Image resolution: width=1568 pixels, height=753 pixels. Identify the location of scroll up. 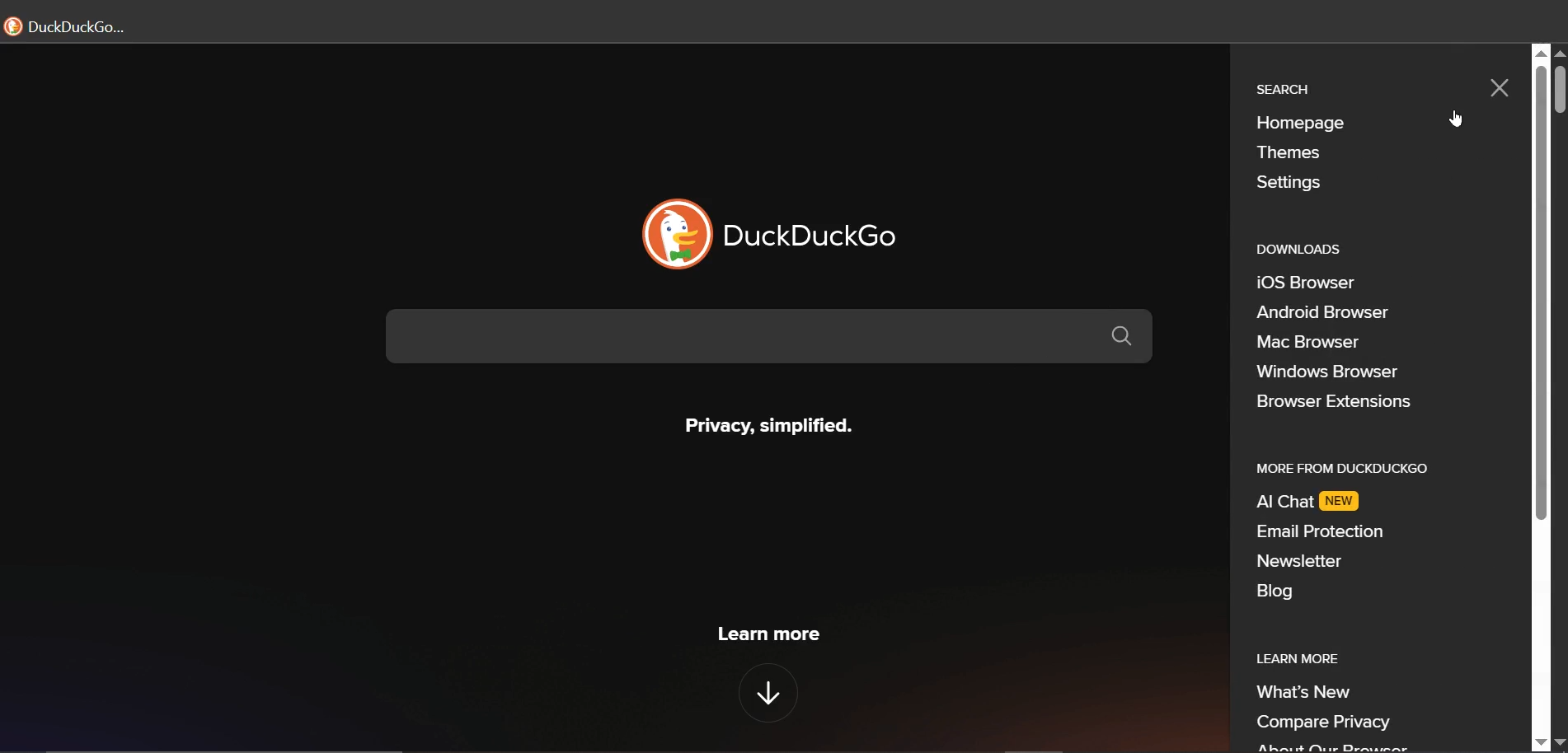
(1542, 52).